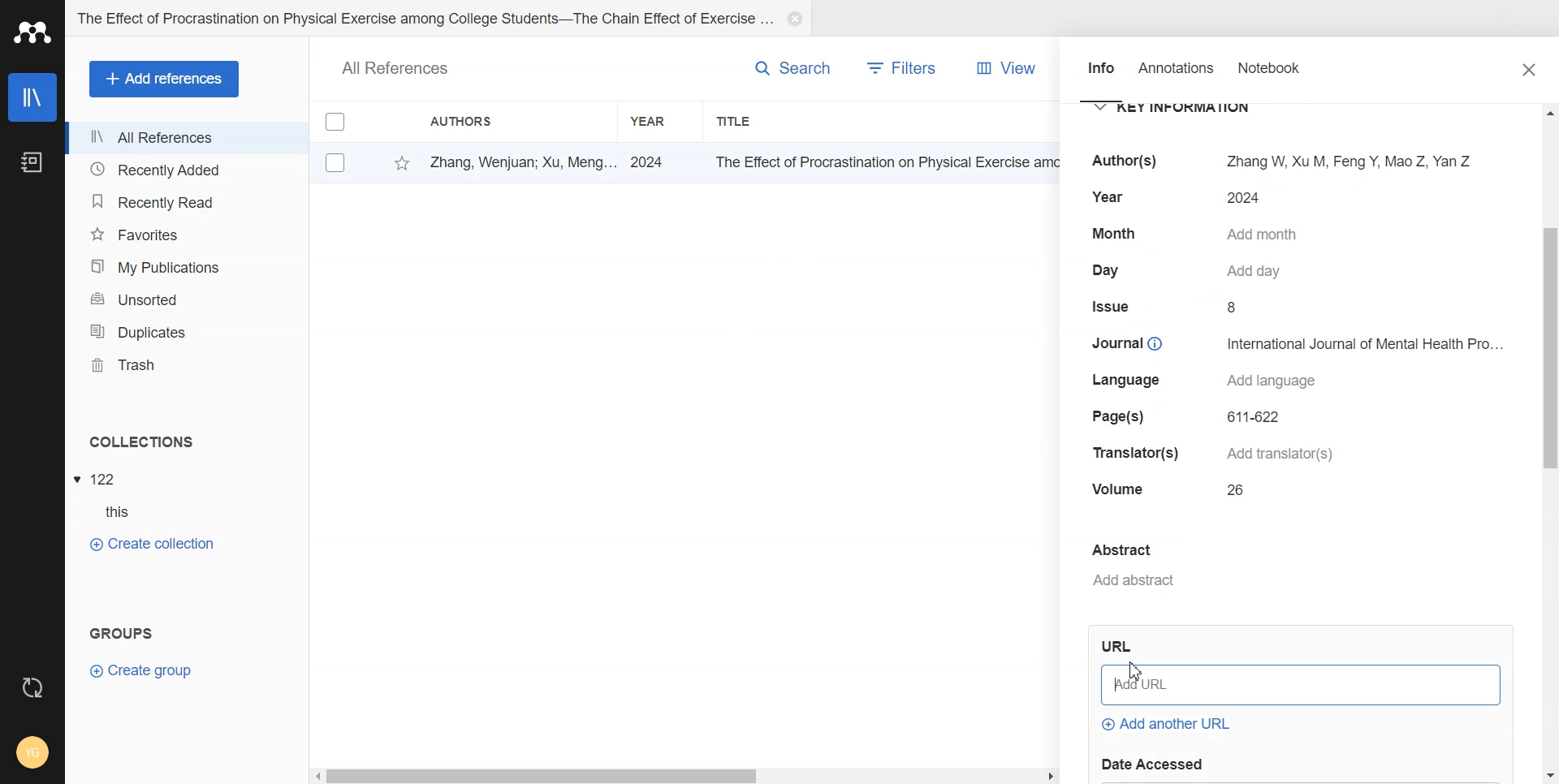 This screenshot has height=784, width=1559. Describe the element at coordinates (1099, 75) in the screenshot. I see `Info` at that location.